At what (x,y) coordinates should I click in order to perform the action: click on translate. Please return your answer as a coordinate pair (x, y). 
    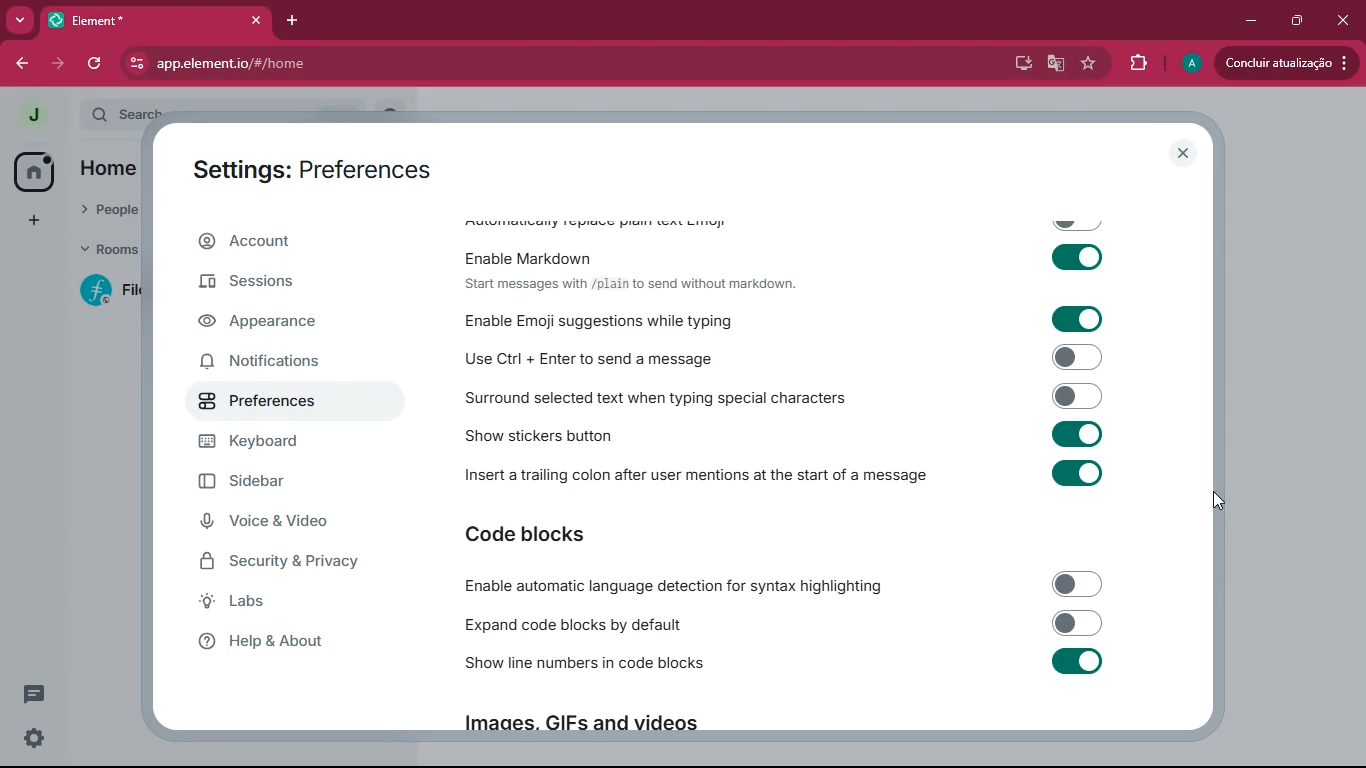
    Looking at the image, I should click on (1057, 64).